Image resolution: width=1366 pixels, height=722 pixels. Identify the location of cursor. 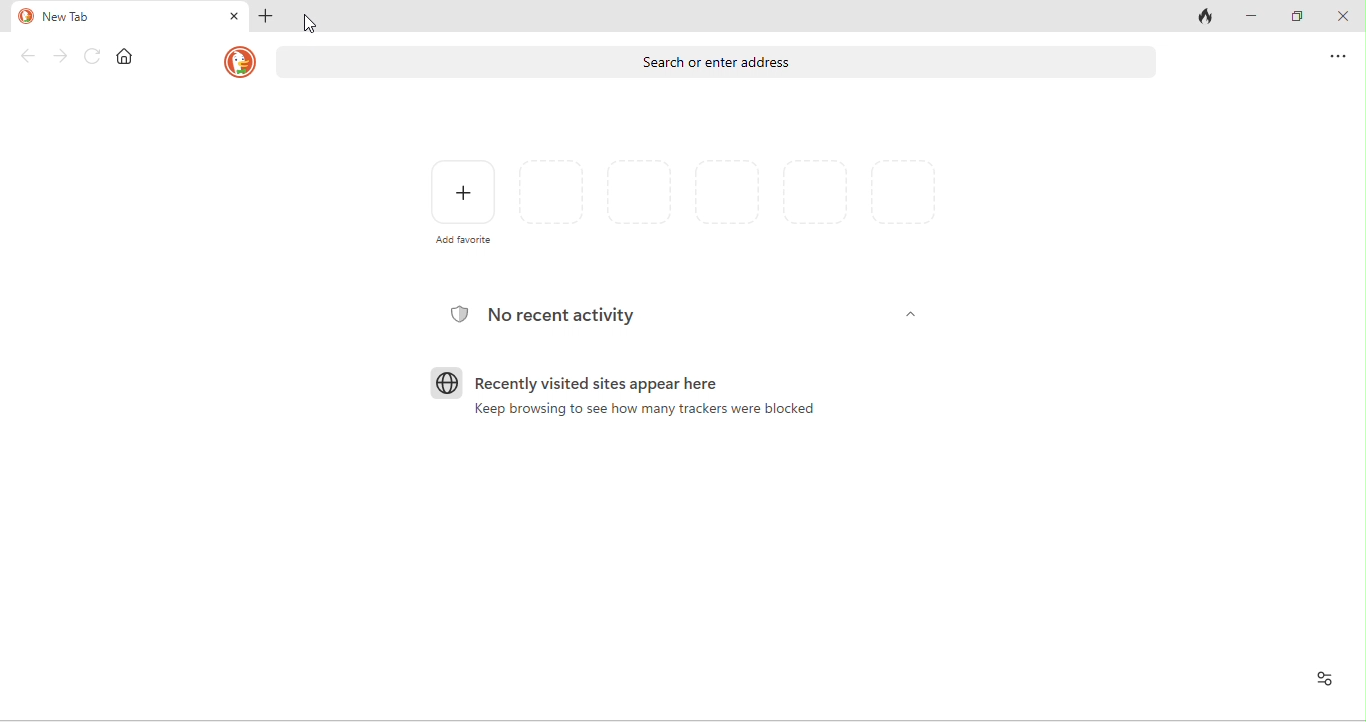
(312, 23).